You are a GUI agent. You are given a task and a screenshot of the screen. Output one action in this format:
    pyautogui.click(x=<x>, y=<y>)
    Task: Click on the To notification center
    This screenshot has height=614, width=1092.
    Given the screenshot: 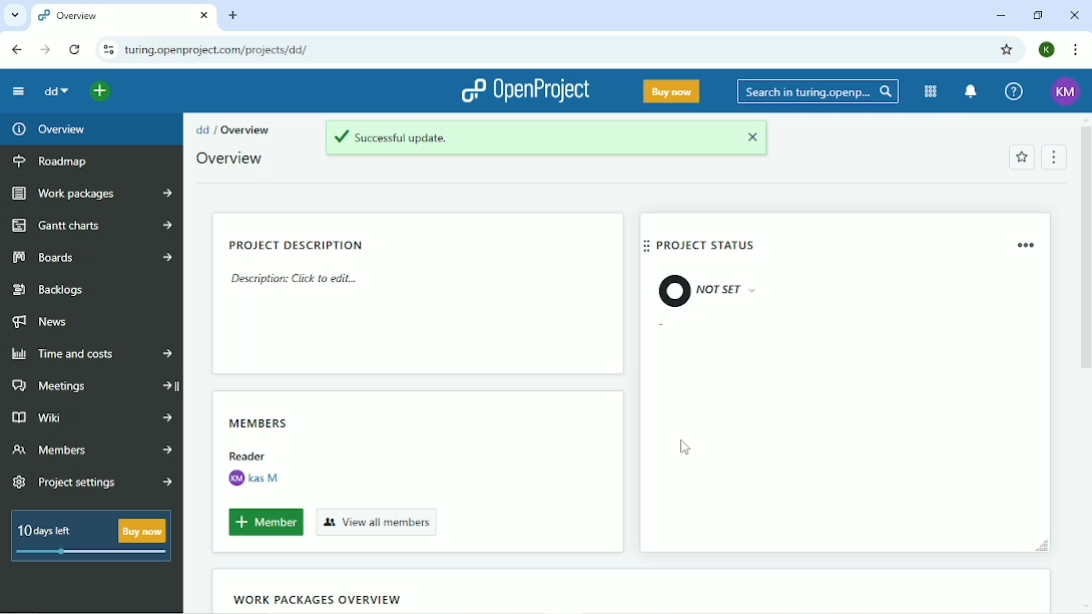 What is the action you would take?
    pyautogui.click(x=970, y=92)
    